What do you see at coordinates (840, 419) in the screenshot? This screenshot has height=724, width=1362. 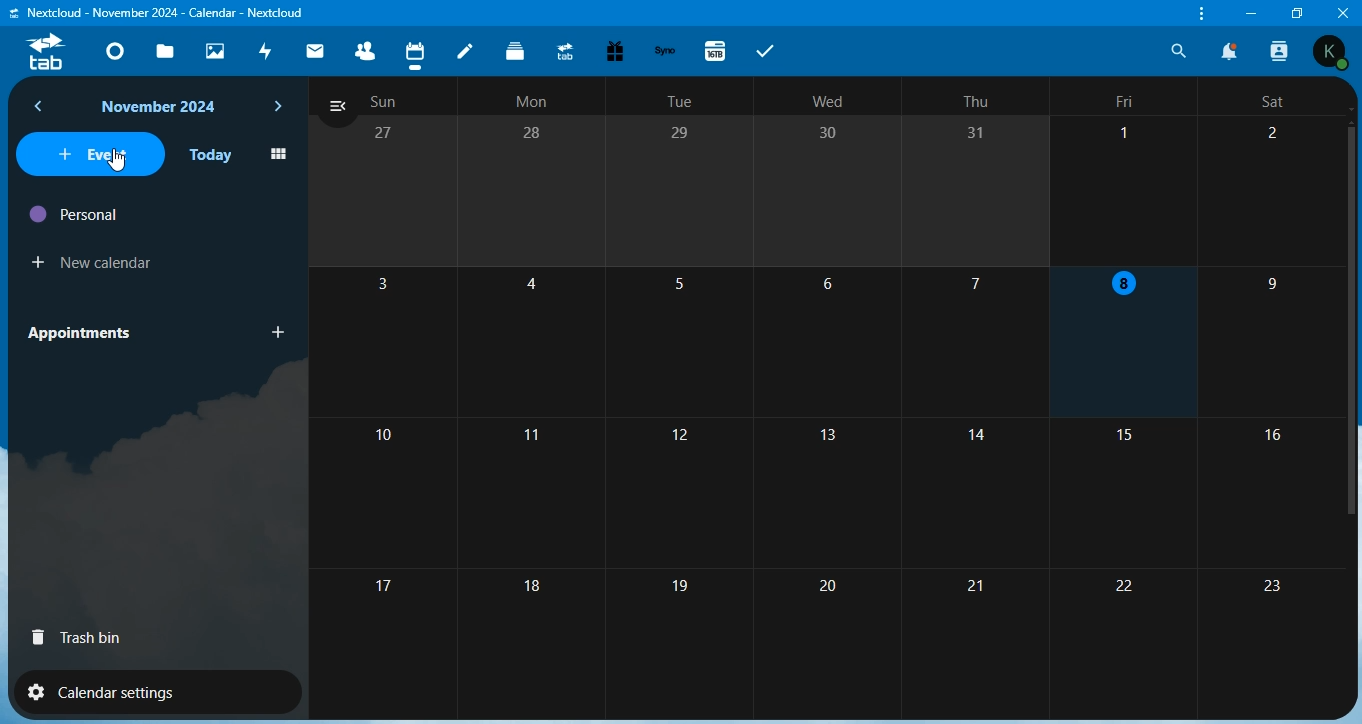 I see `number` at bounding box center [840, 419].